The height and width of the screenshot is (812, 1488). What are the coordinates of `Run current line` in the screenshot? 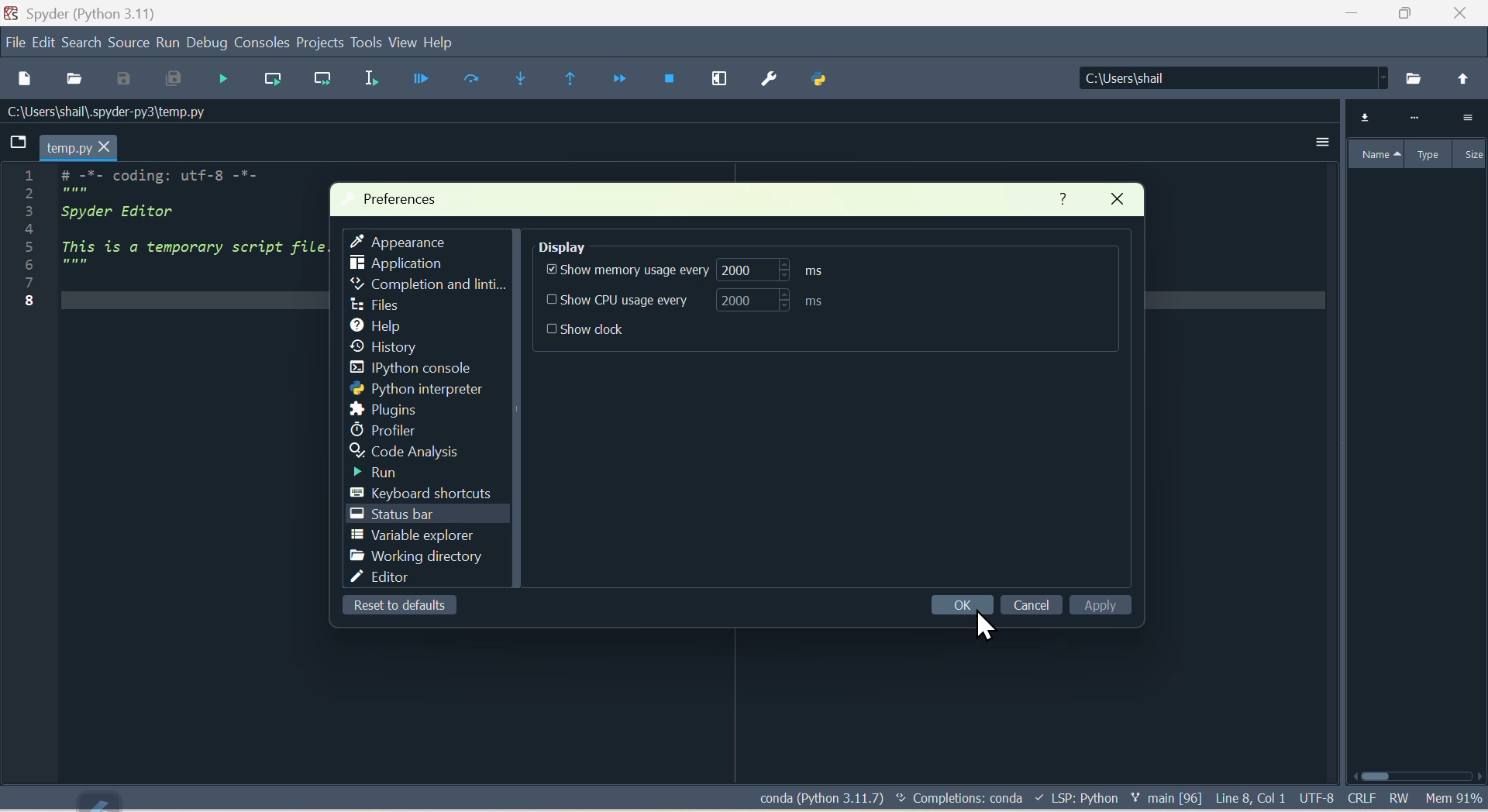 It's located at (268, 75).